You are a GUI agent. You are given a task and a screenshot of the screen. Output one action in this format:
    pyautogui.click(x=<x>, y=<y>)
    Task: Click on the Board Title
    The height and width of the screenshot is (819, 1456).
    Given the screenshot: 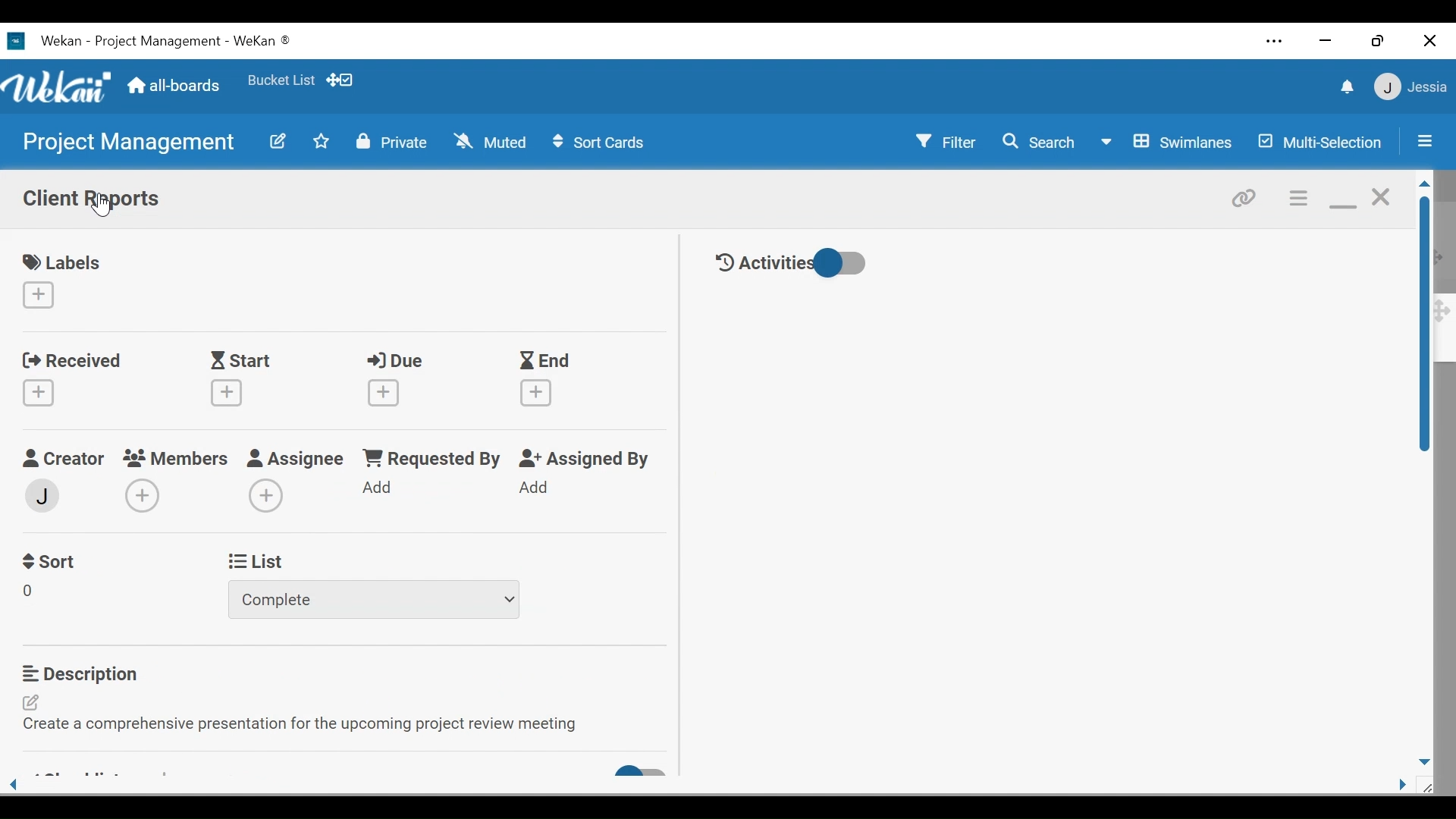 What is the action you would take?
    pyautogui.click(x=157, y=41)
    